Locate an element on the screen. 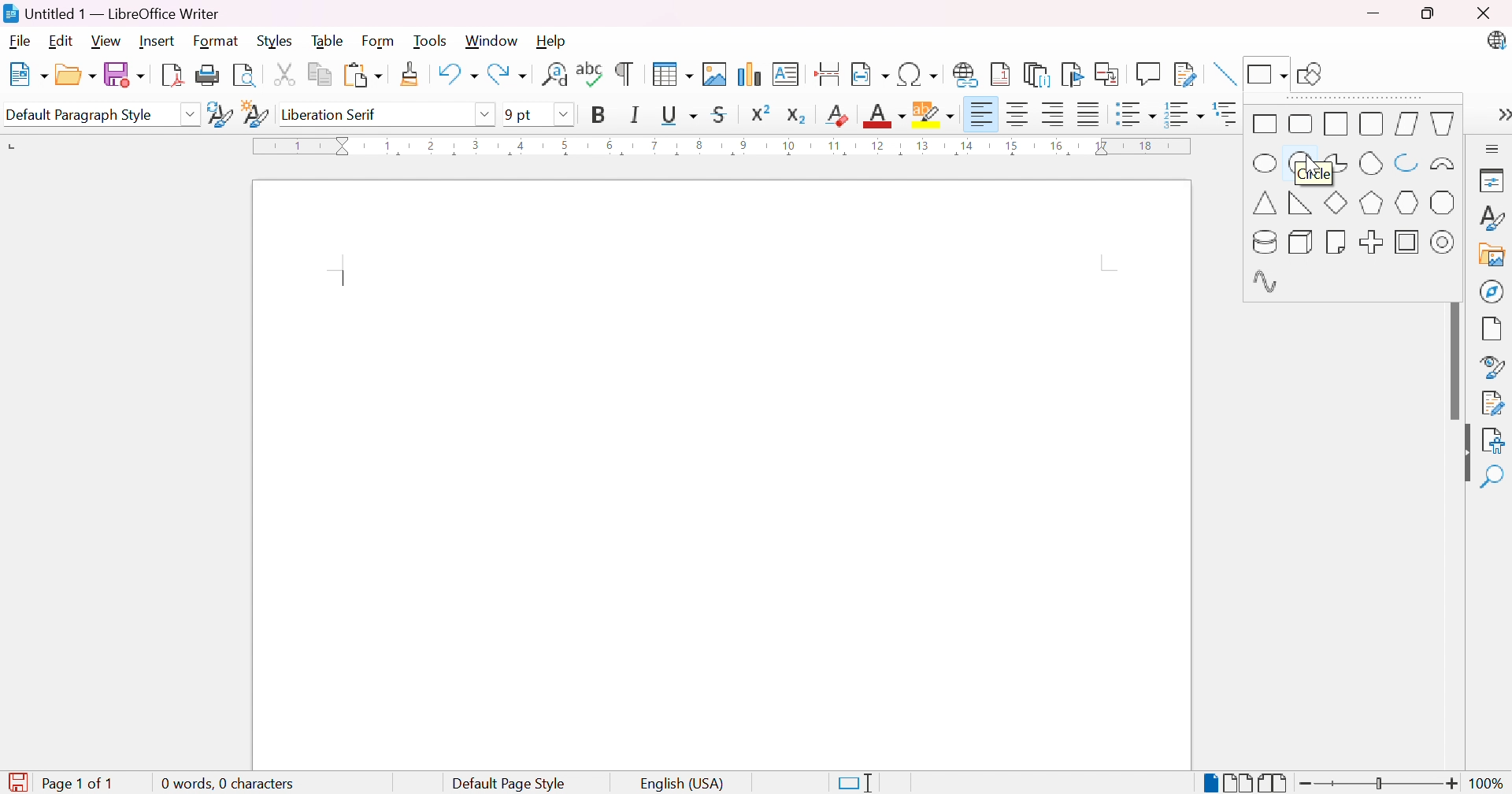  Set paragraph style is located at coordinates (88, 115).